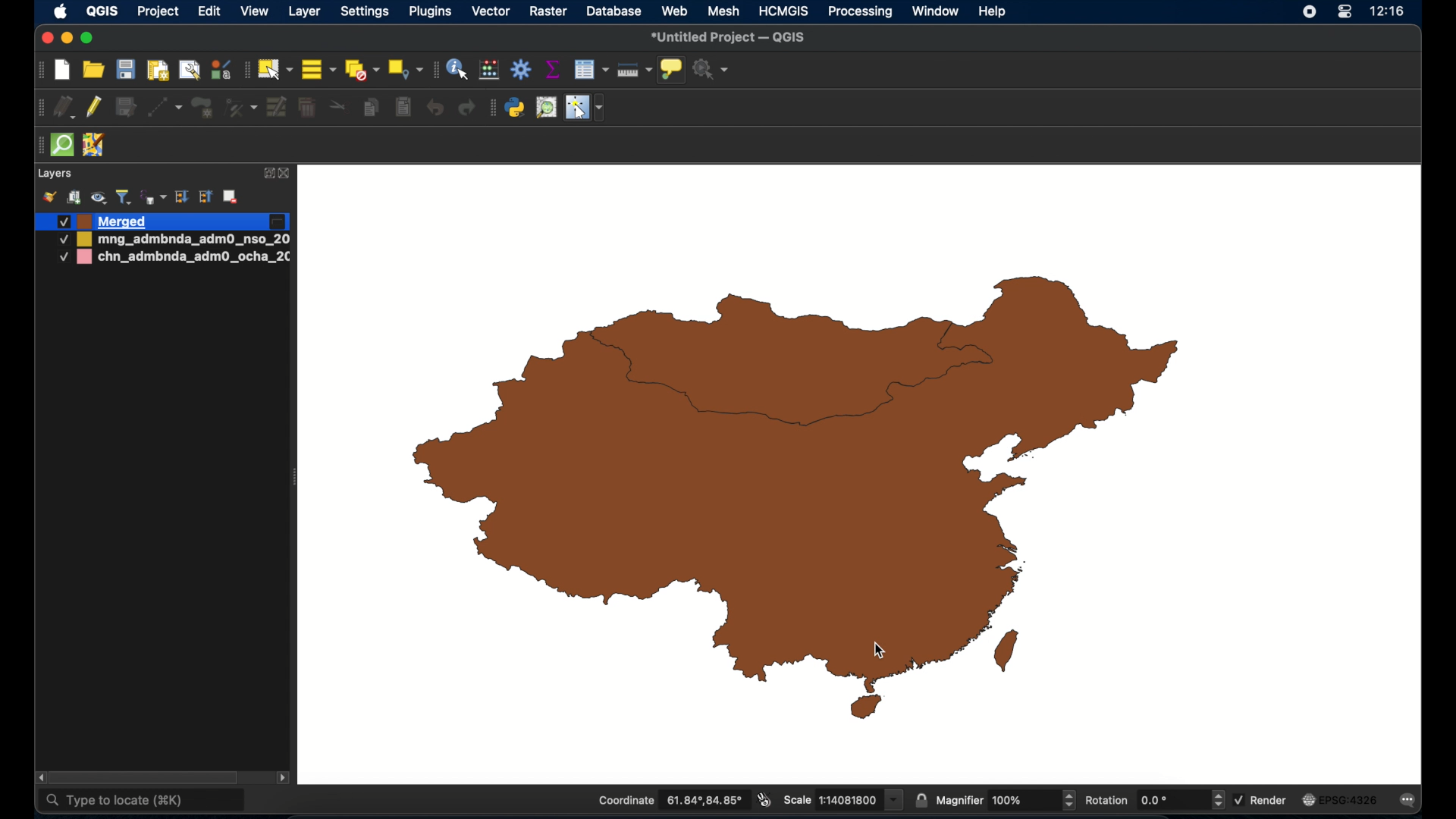  What do you see at coordinates (319, 71) in the screenshot?
I see `select all features` at bounding box center [319, 71].